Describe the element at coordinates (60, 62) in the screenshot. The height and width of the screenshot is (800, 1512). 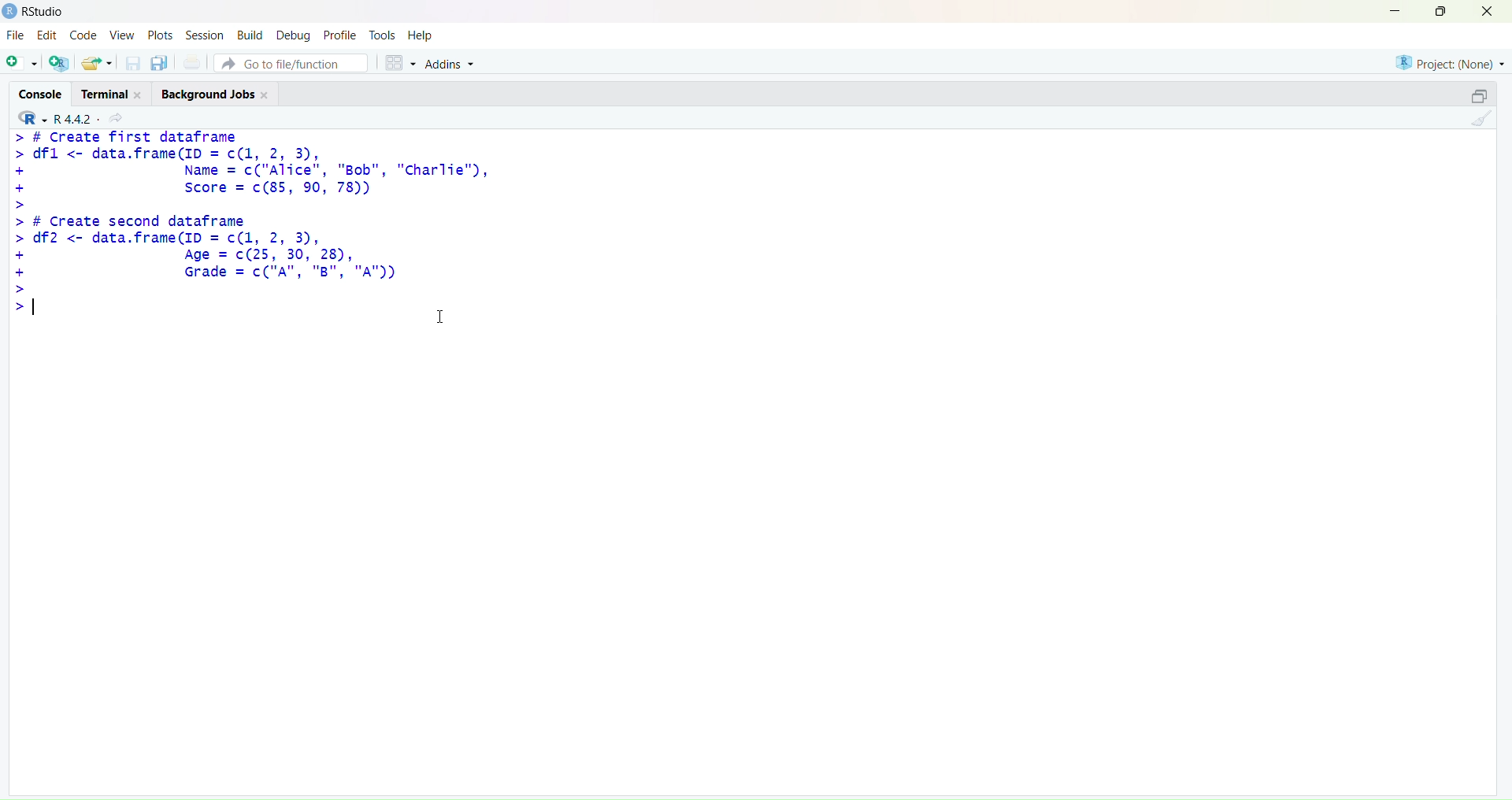
I see `create a project` at that location.